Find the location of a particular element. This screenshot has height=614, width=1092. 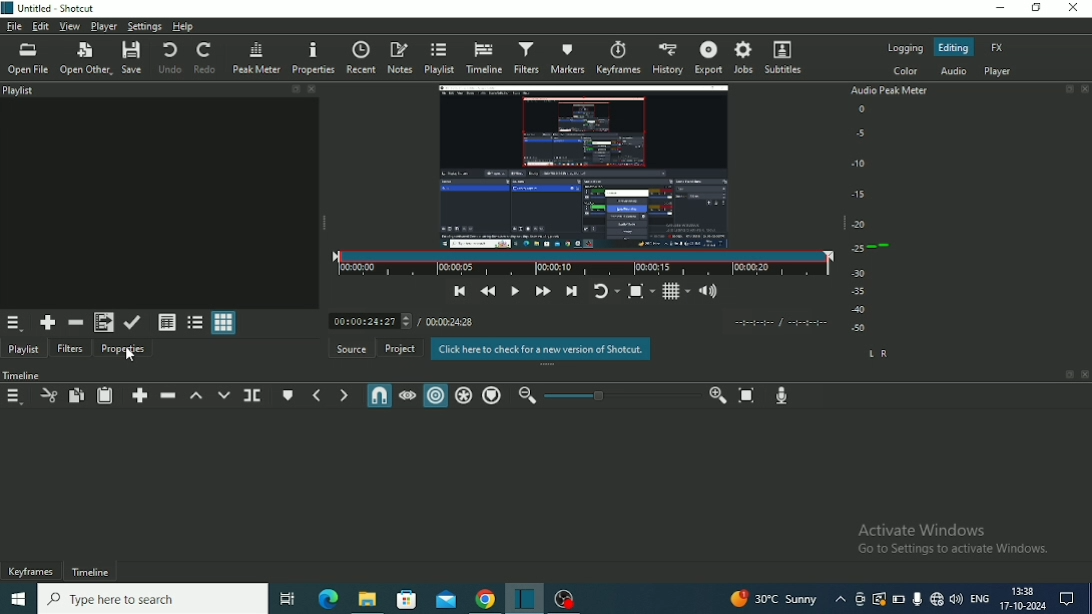

Zoom Timeline Out/In is located at coordinates (622, 397).